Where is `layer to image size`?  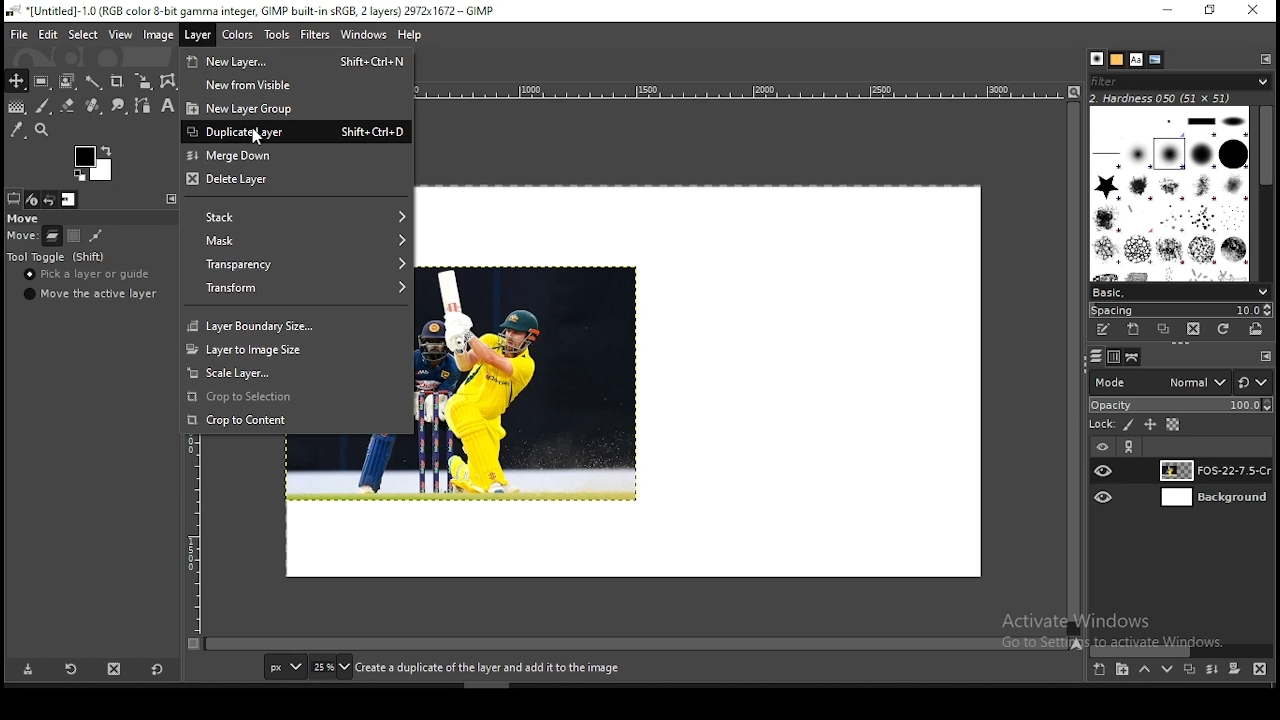
layer to image size is located at coordinates (296, 348).